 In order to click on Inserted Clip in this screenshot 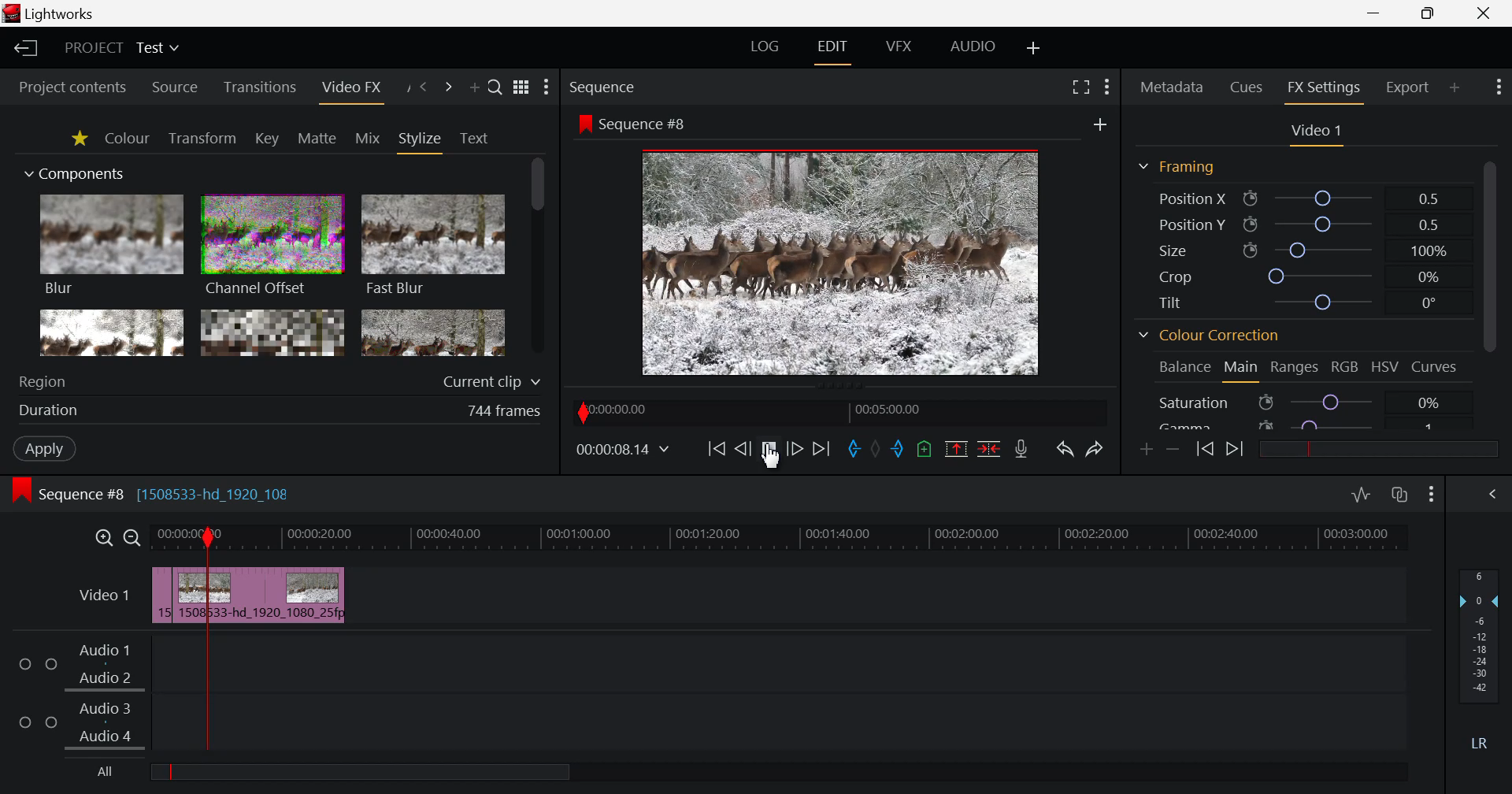, I will do `click(250, 595)`.